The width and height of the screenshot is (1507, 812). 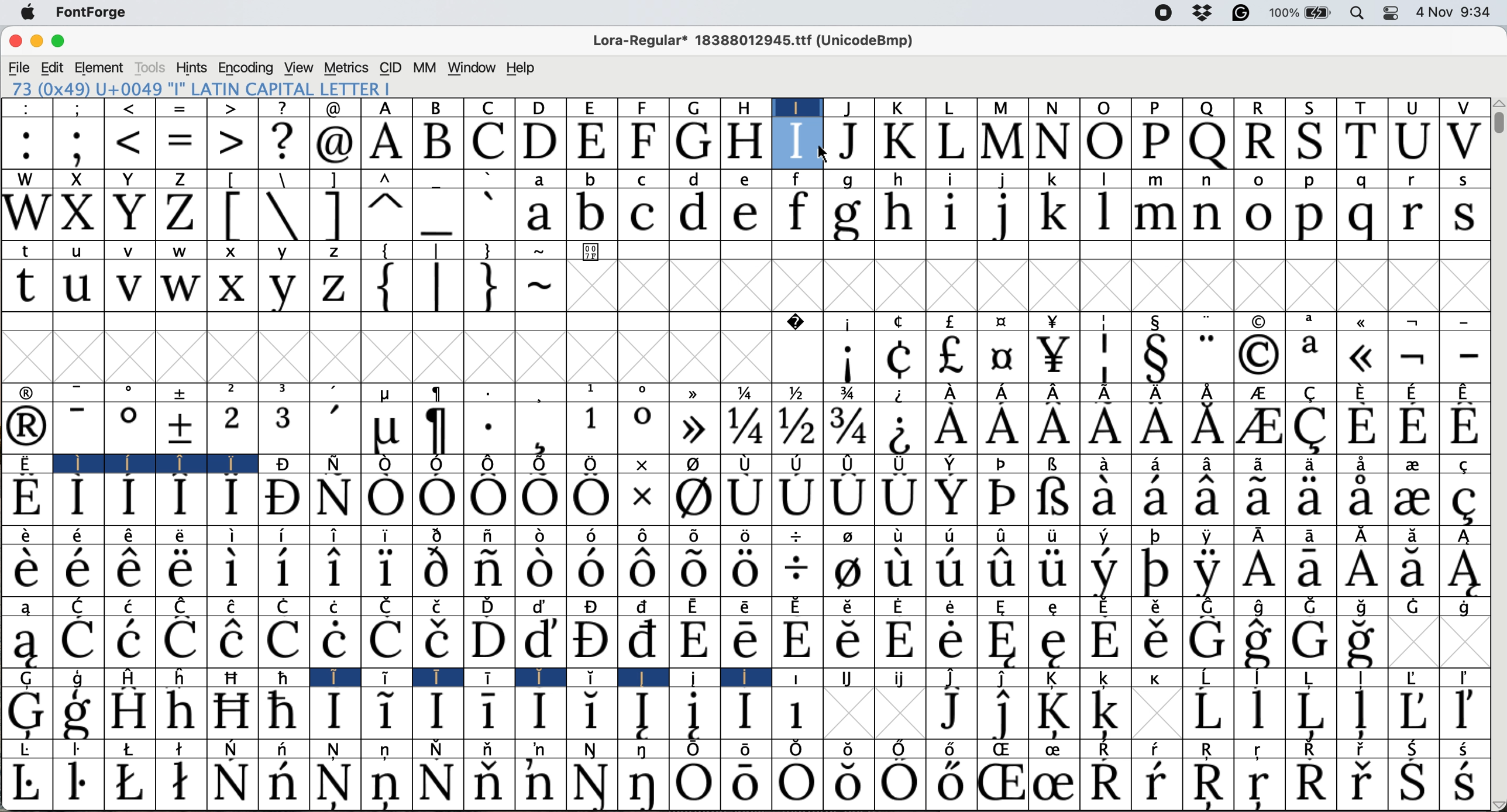 I want to click on Symbol, so click(x=1206, y=711).